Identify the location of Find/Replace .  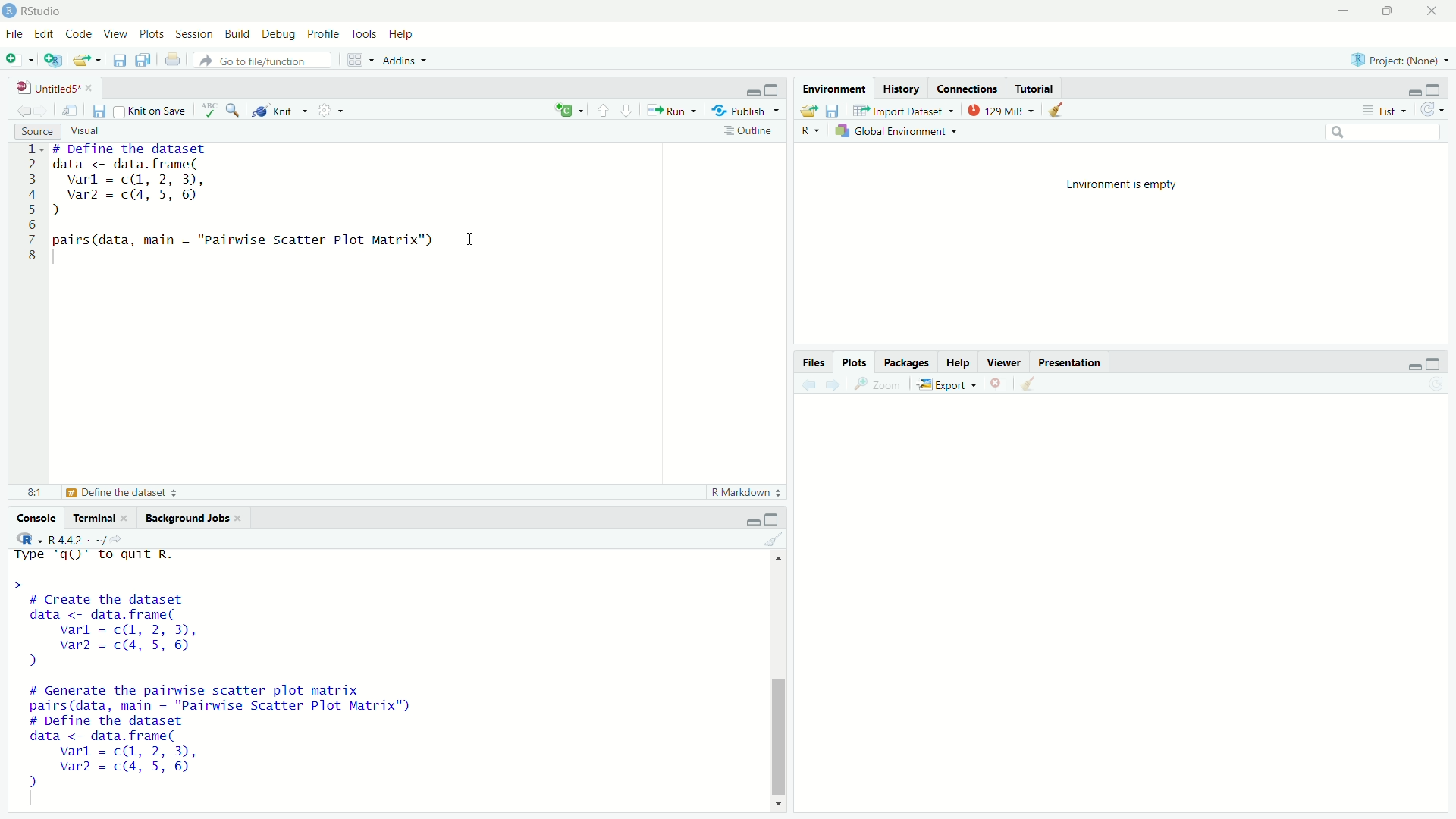
(233, 109).